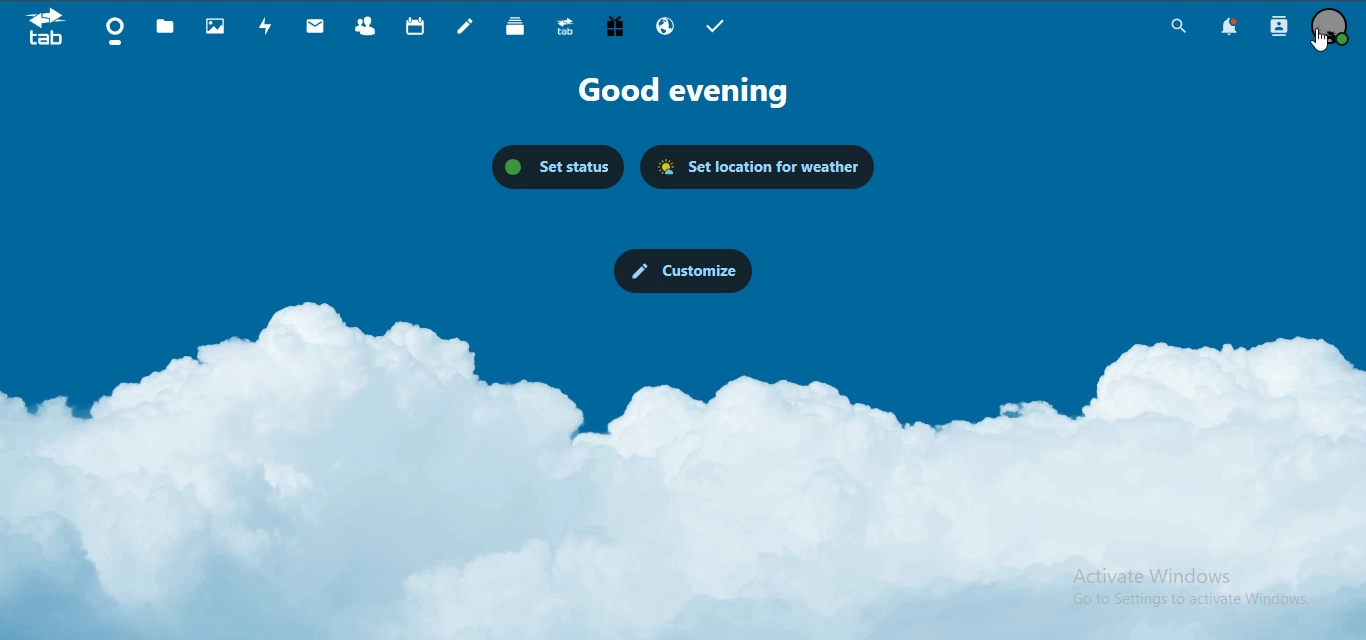  I want to click on calendar, so click(413, 27).